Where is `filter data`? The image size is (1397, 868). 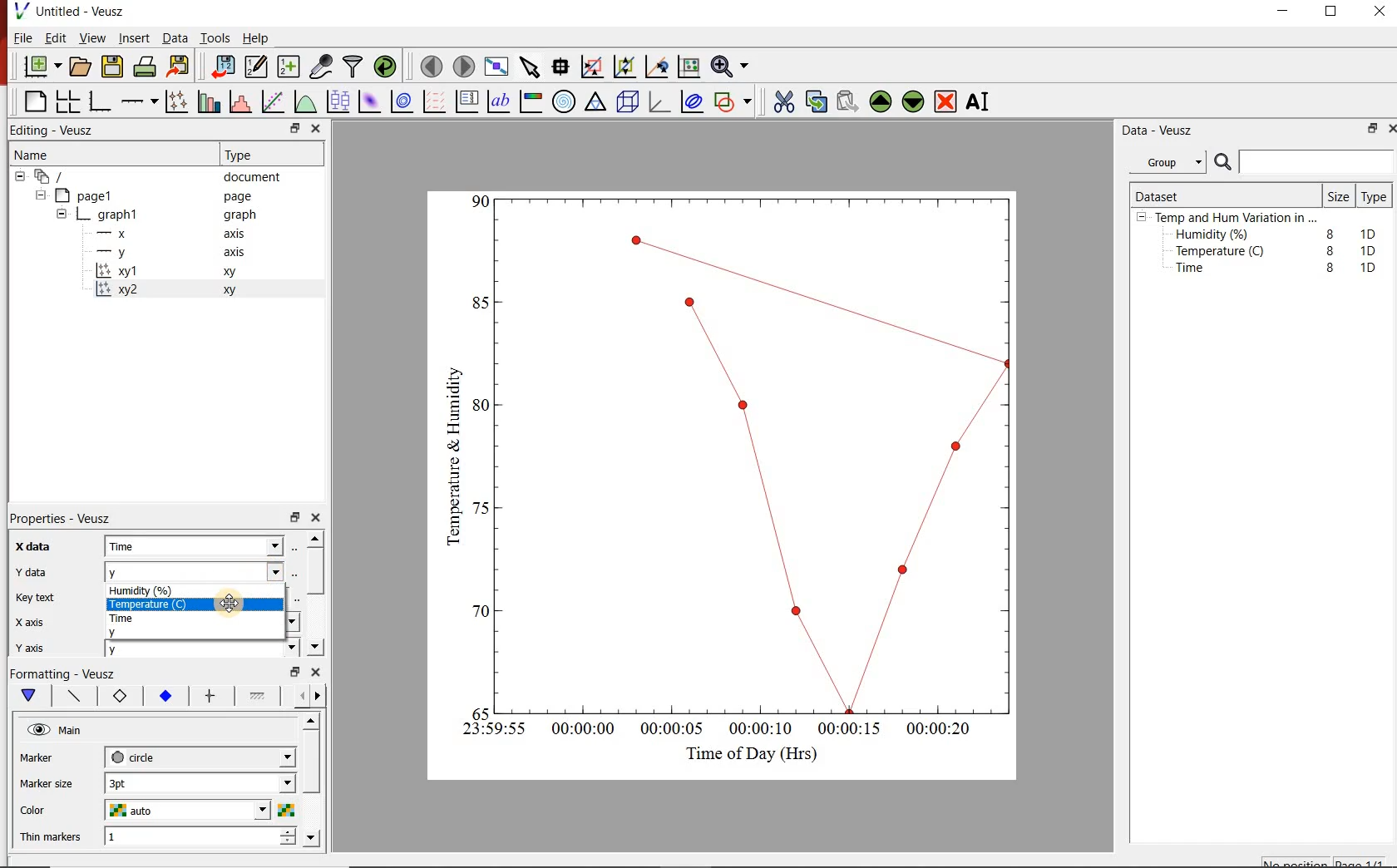
filter data is located at coordinates (353, 67).